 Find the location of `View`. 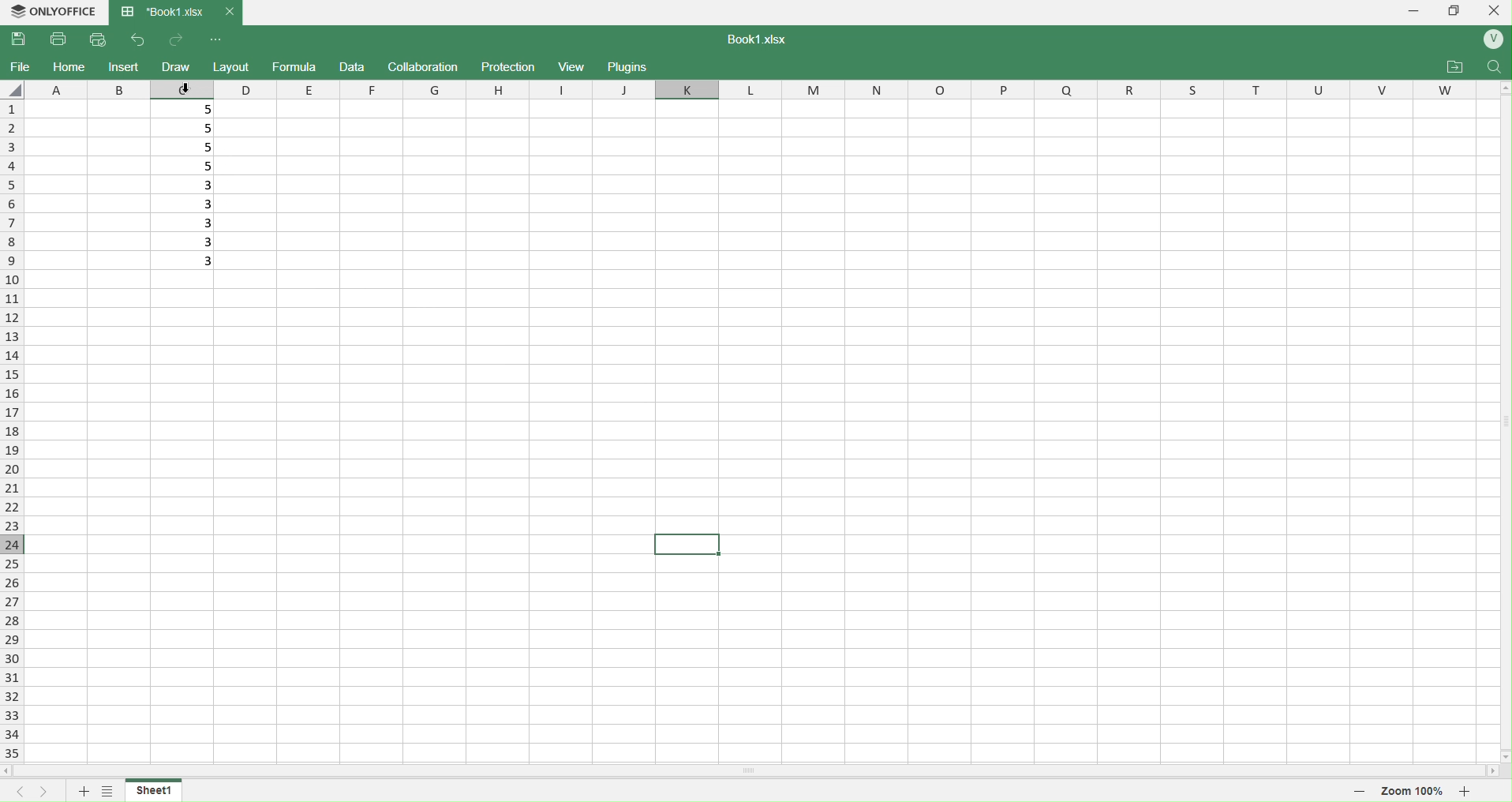

View is located at coordinates (574, 66).